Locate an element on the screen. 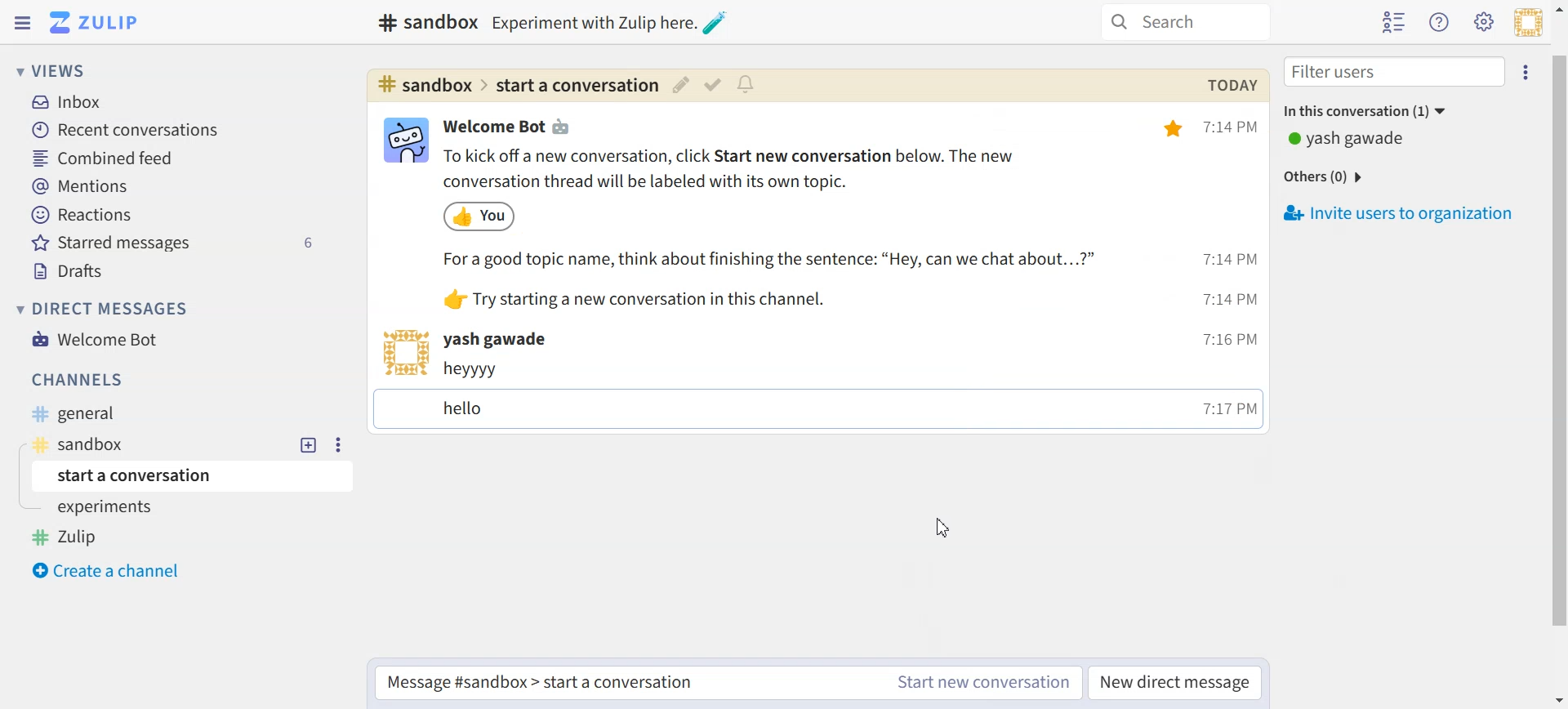 The height and width of the screenshot is (709, 1568). Start new conversation is located at coordinates (984, 682).